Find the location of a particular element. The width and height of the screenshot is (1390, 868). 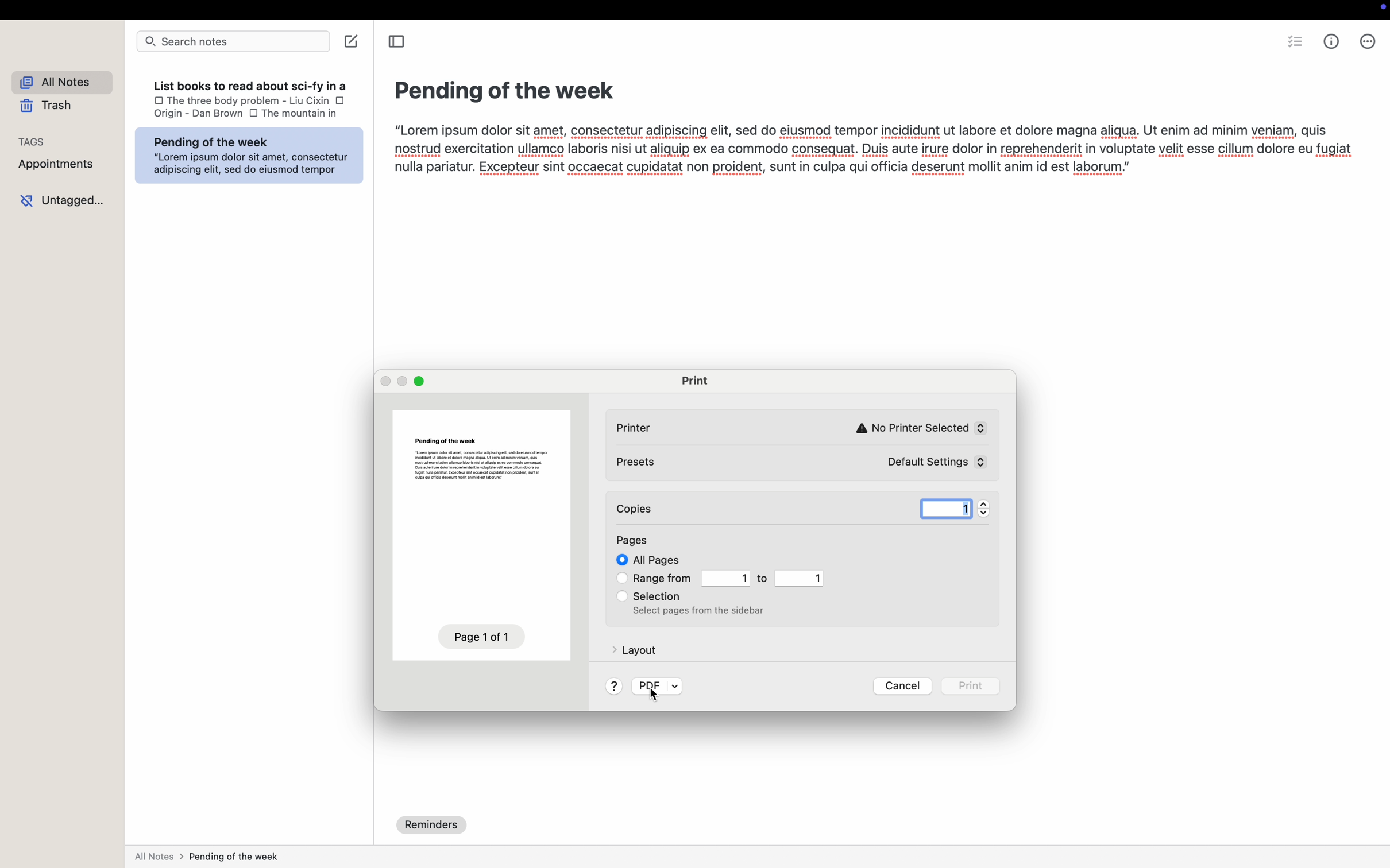

copies is located at coordinates (670, 509).